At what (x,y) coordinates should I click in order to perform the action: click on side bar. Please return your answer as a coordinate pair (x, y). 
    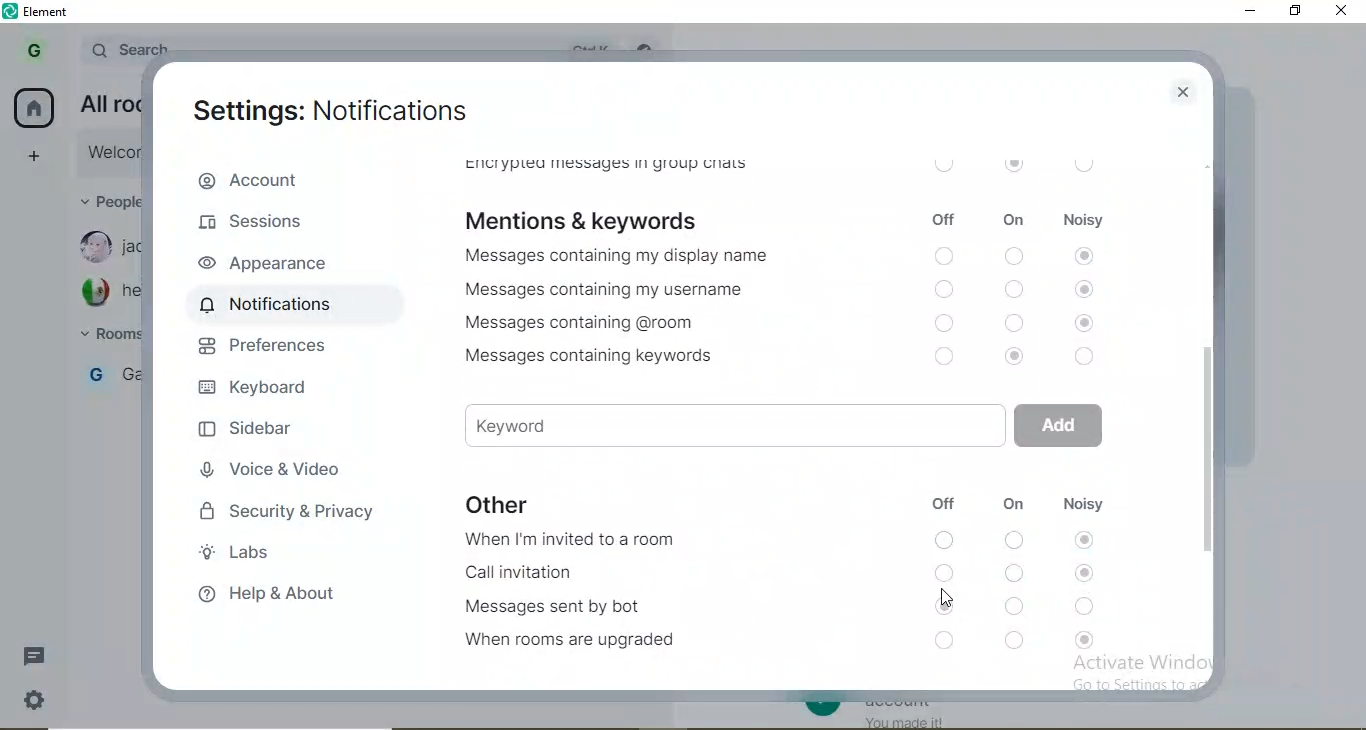
    Looking at the image, I should click on (1209, 362).